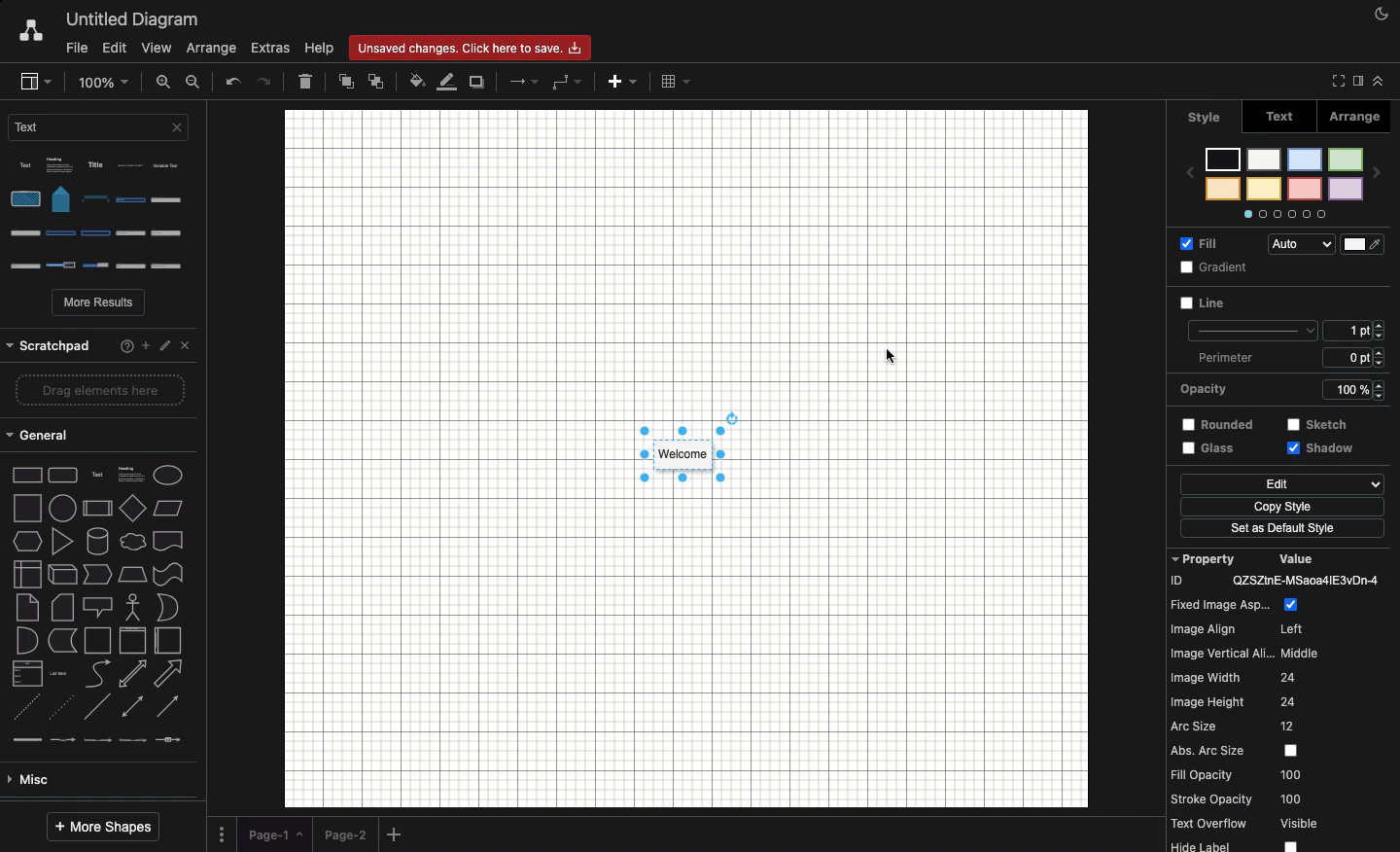 This screenshot has width=1400, height=852. I want to click on Unselected, so click(1204, 307).